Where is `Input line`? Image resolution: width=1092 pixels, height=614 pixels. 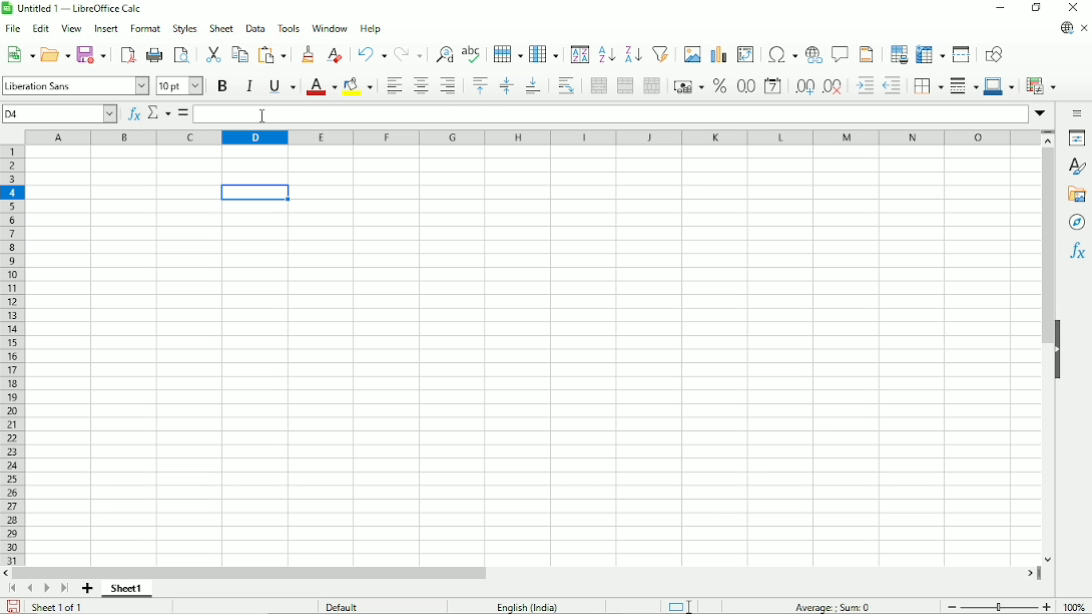 Input line is located at coordinates (611, 114).